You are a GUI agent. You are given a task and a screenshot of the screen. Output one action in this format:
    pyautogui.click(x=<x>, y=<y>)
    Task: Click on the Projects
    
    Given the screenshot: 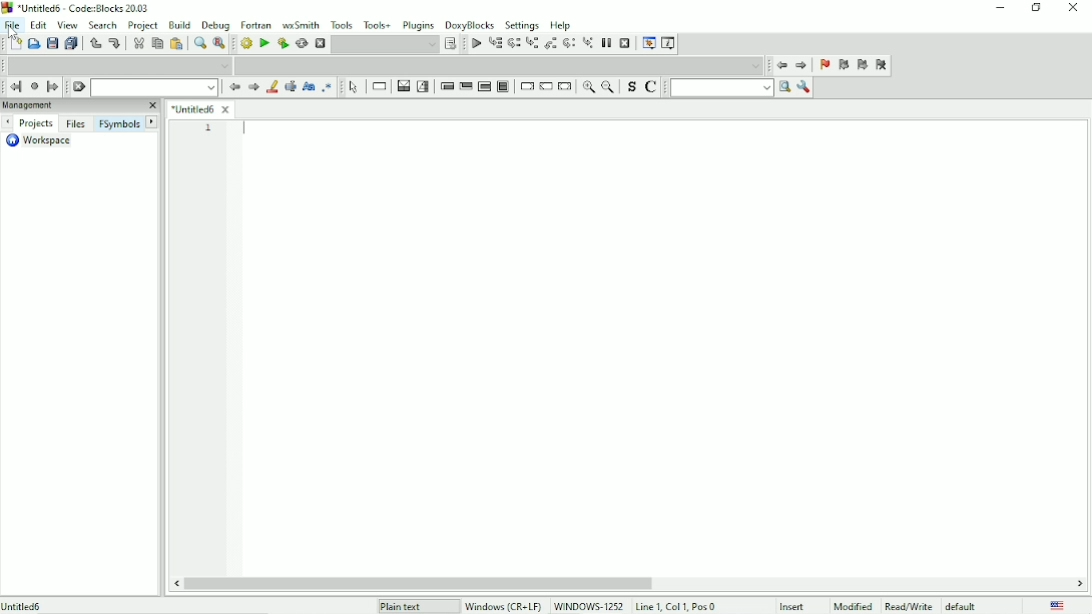 What is the action you would take?
    pyautogui.click(x=37, y=124)
    